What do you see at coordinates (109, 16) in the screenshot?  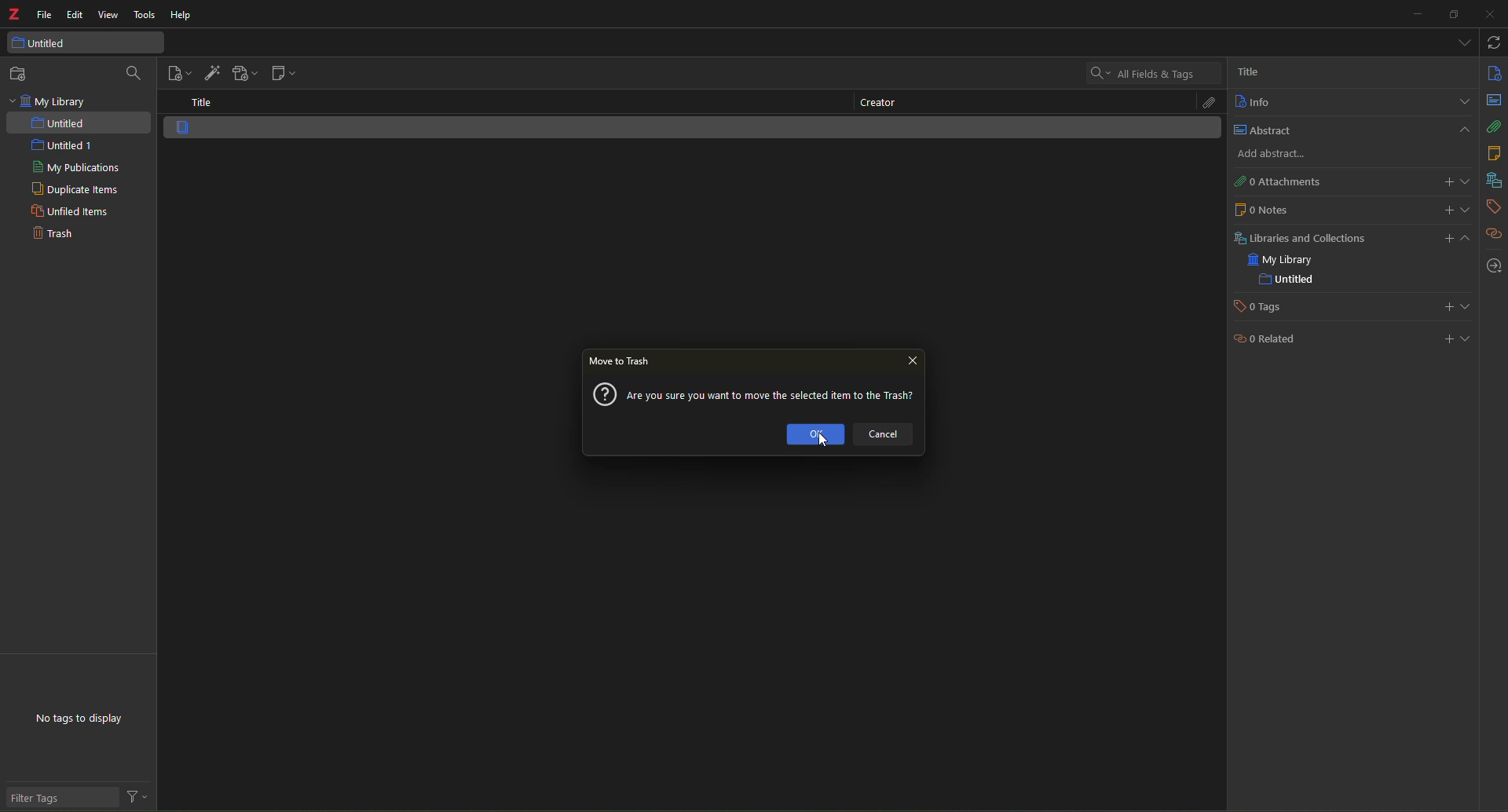 I see `view` at bounding box center [109, 16].